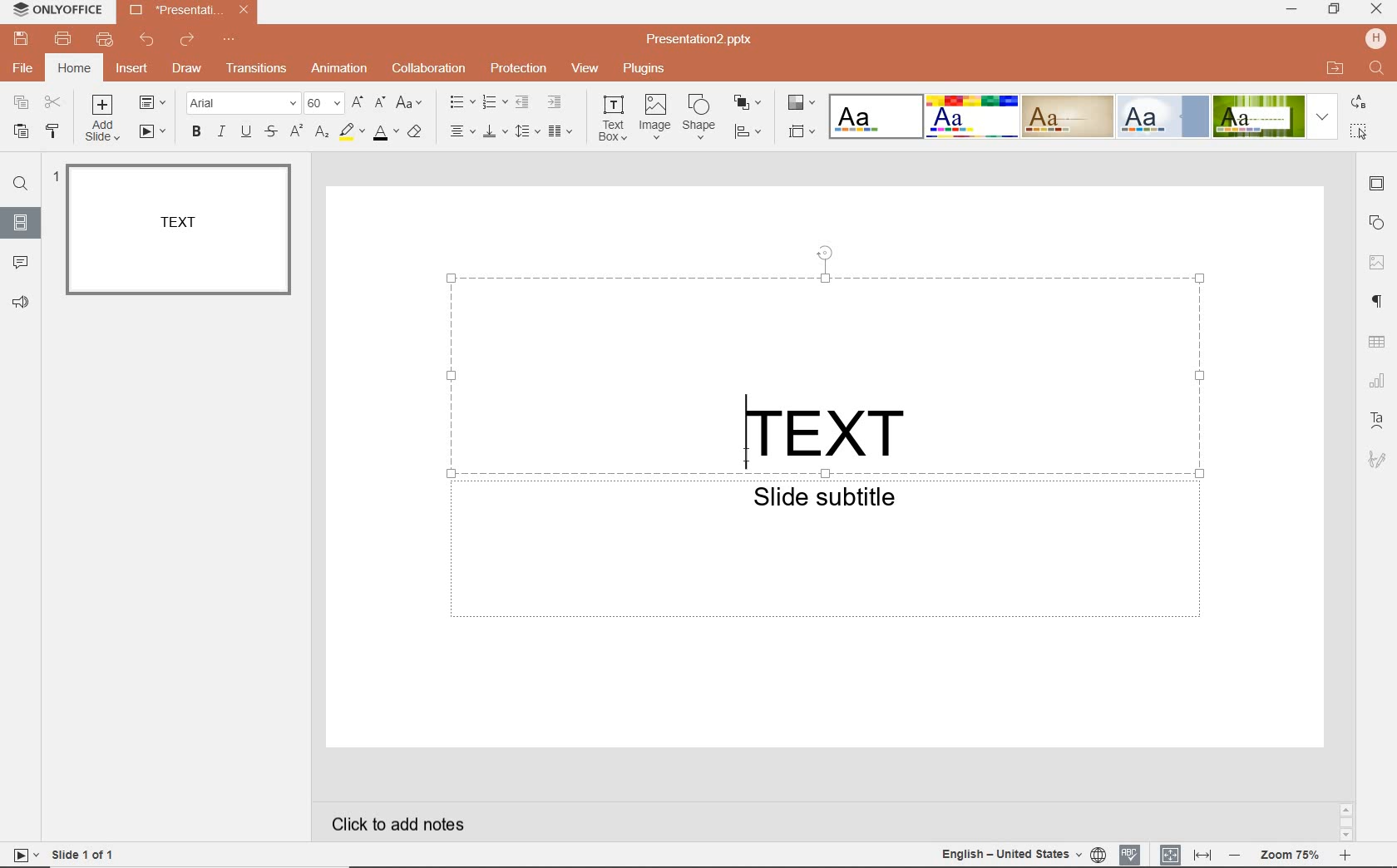 The image size is (1397, 868). Describe the element at coordinates (429, 67) in the screenshot. I see `COLLABORATION` at that location.